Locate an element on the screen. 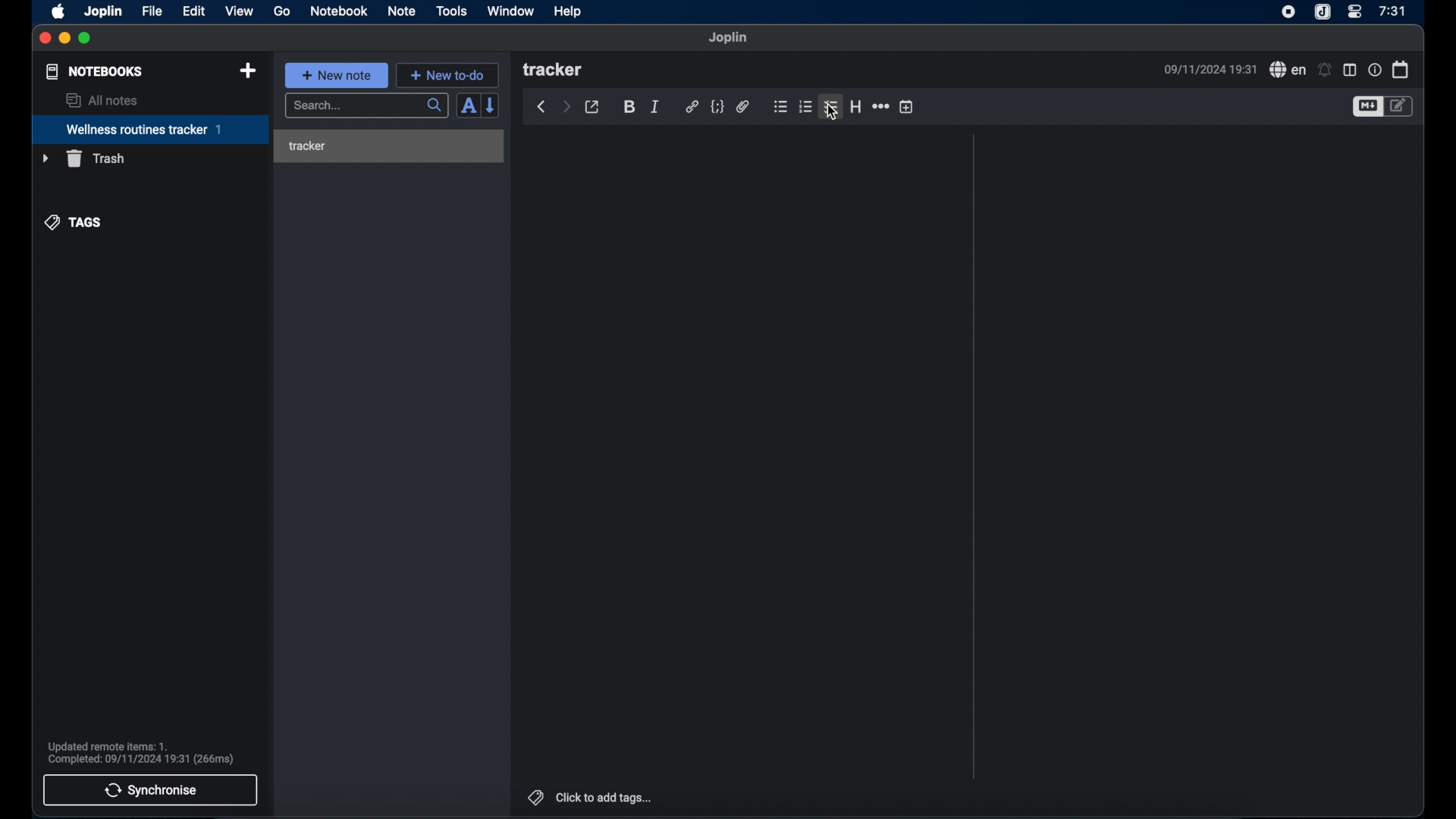  tags is located at coordinates (74, 223).